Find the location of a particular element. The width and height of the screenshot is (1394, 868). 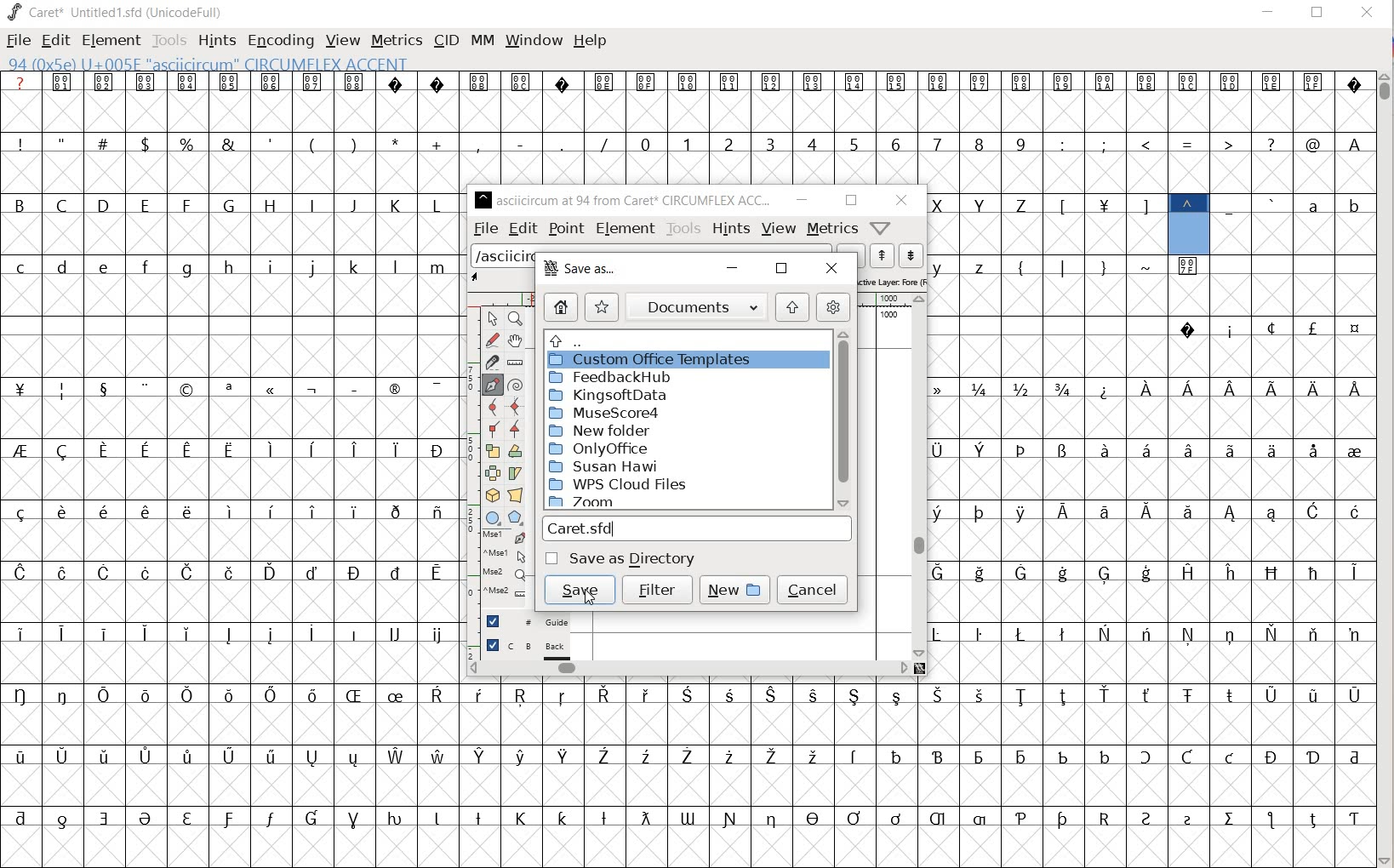

minimize is located at coordinates (803, 200).